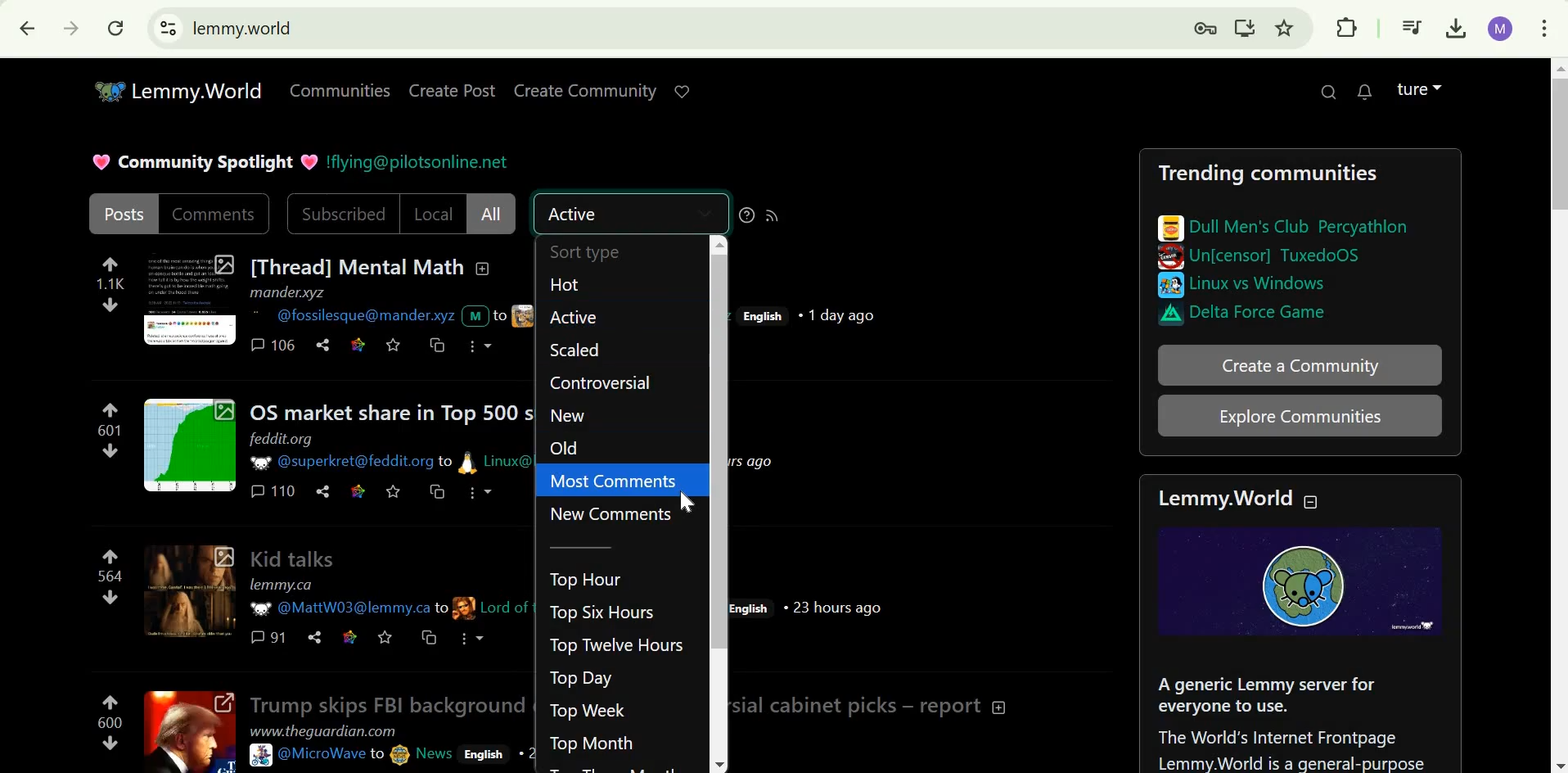  I want to click on upvote, so click(107, 264).